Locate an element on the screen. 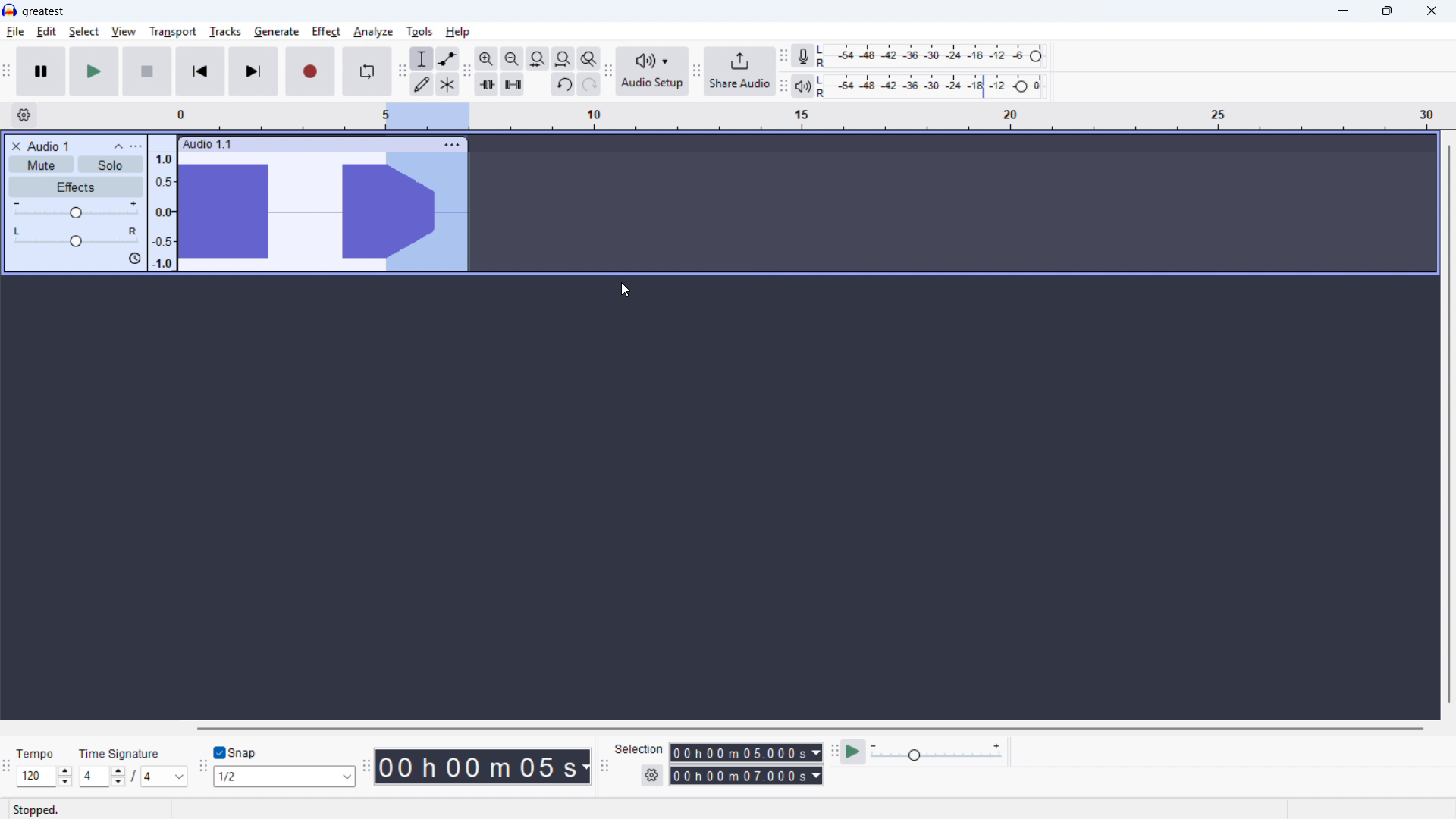 This screenshot has height=819, width=1456. stopped is located at coordinates (36, 811).